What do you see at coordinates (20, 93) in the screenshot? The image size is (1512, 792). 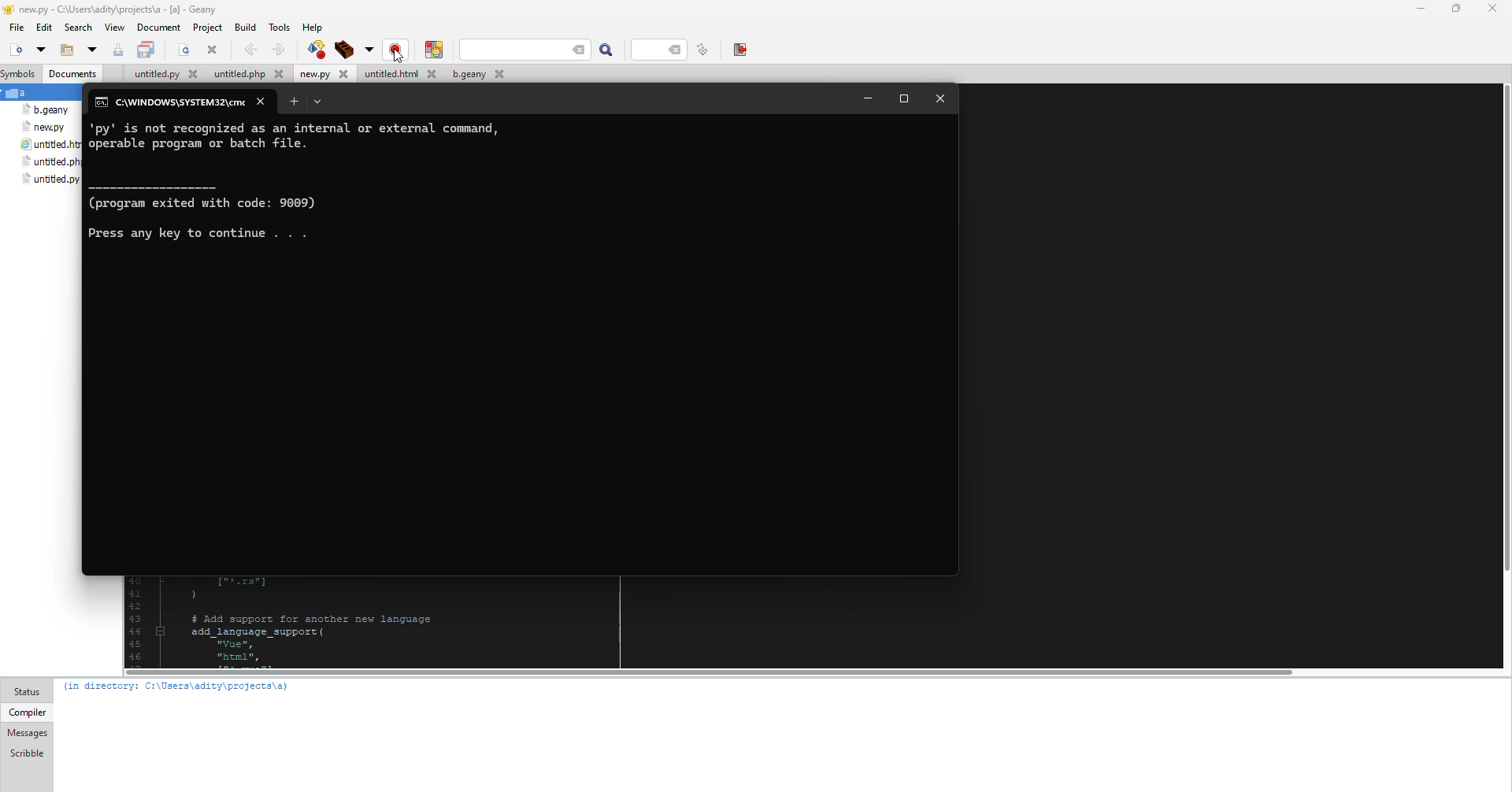 I see `a` at bounding box center [20, 93].